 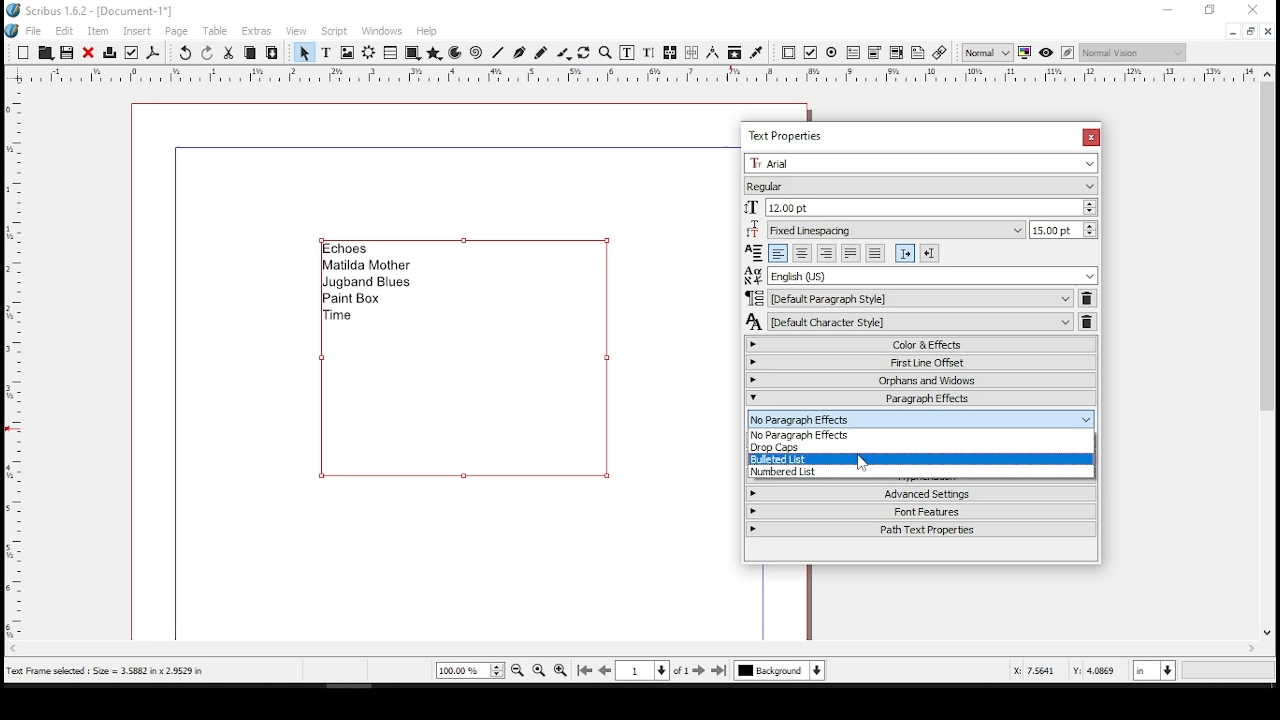 What do you see at coordinates (645, 53) in the screenshot?
I see `edit text with story editor` at bounding box center [645, 53].